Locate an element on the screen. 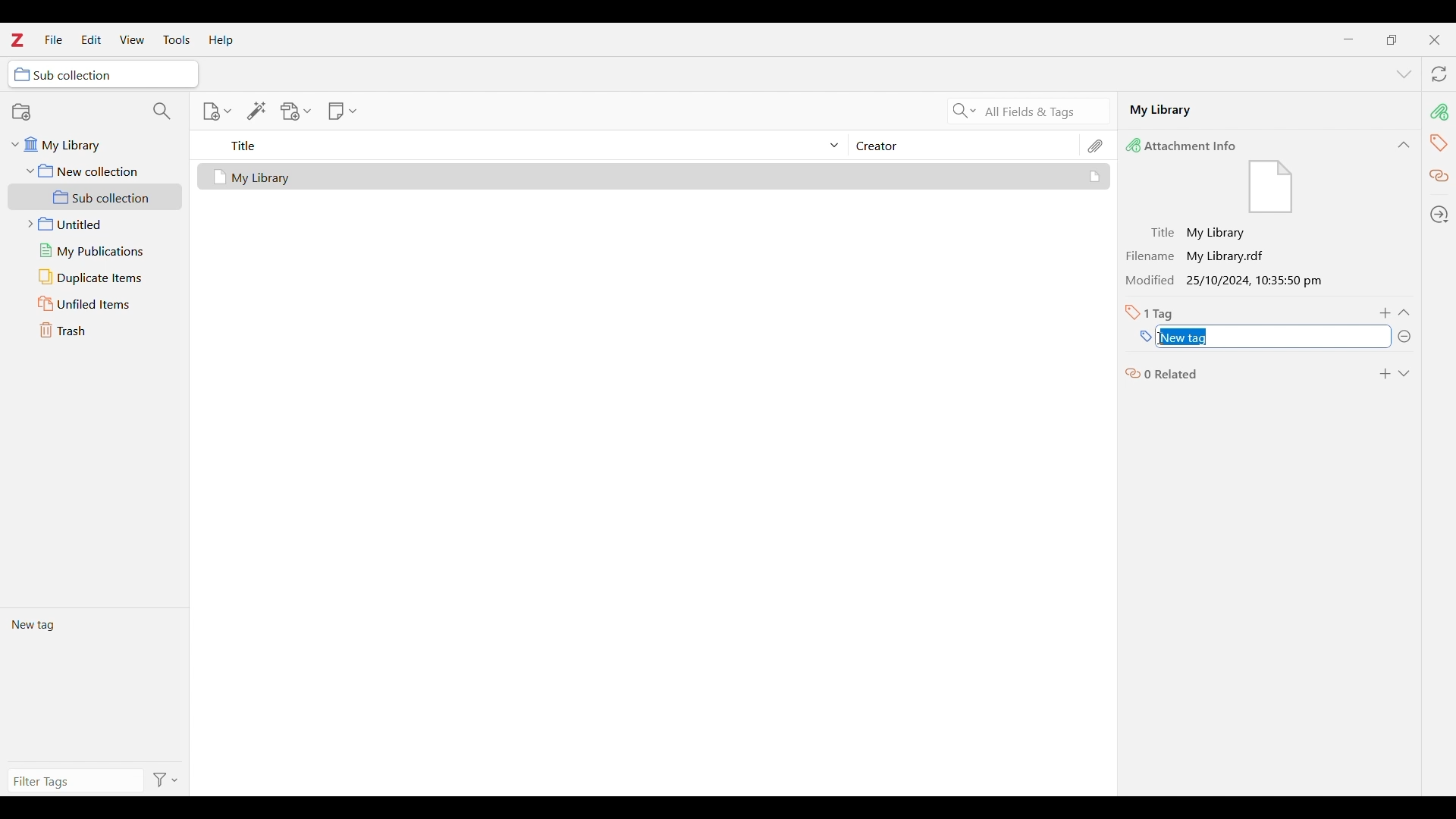  Total number of tags is located at coordinates (1150, 312).